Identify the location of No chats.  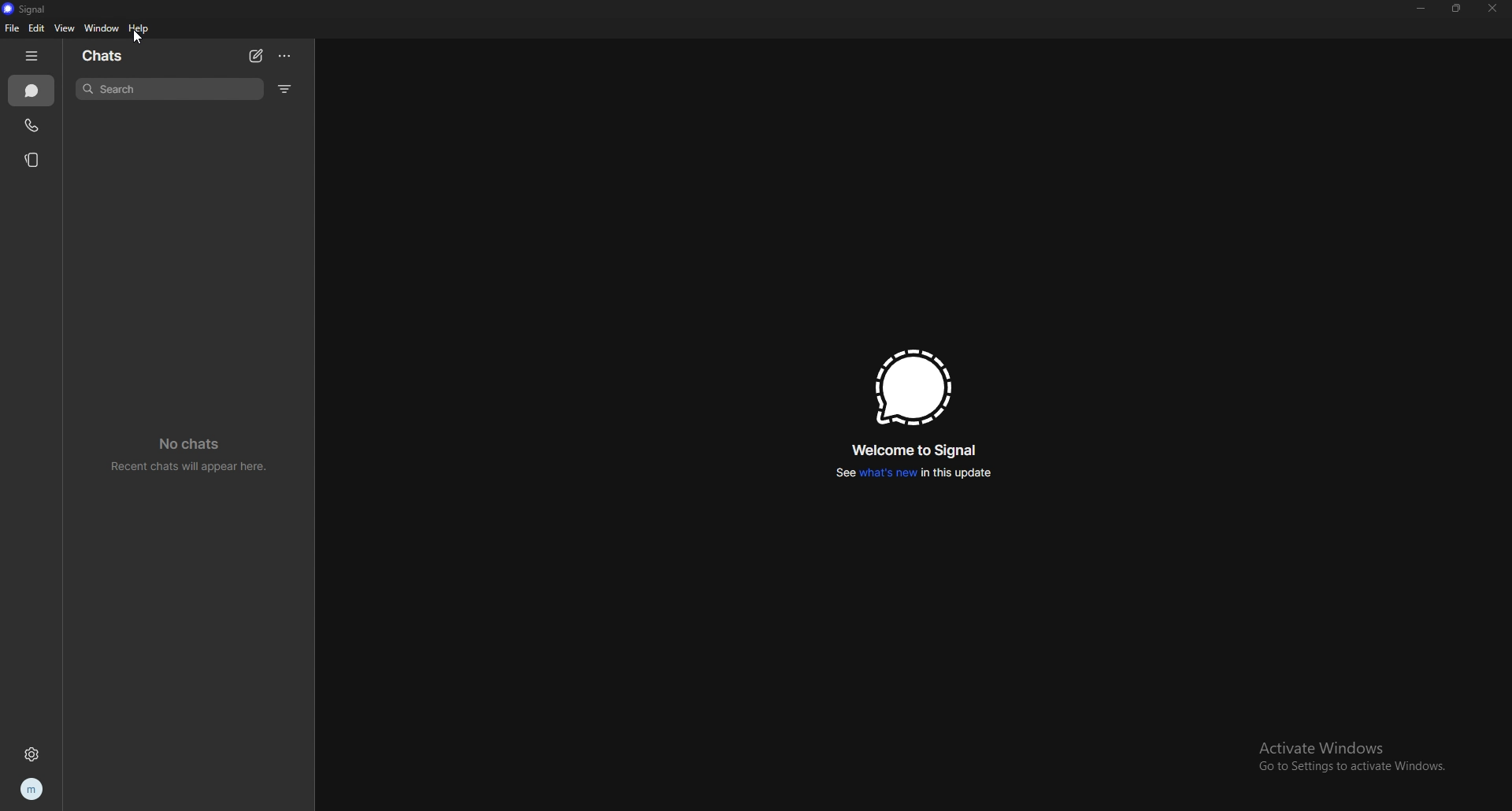
(191, 440).